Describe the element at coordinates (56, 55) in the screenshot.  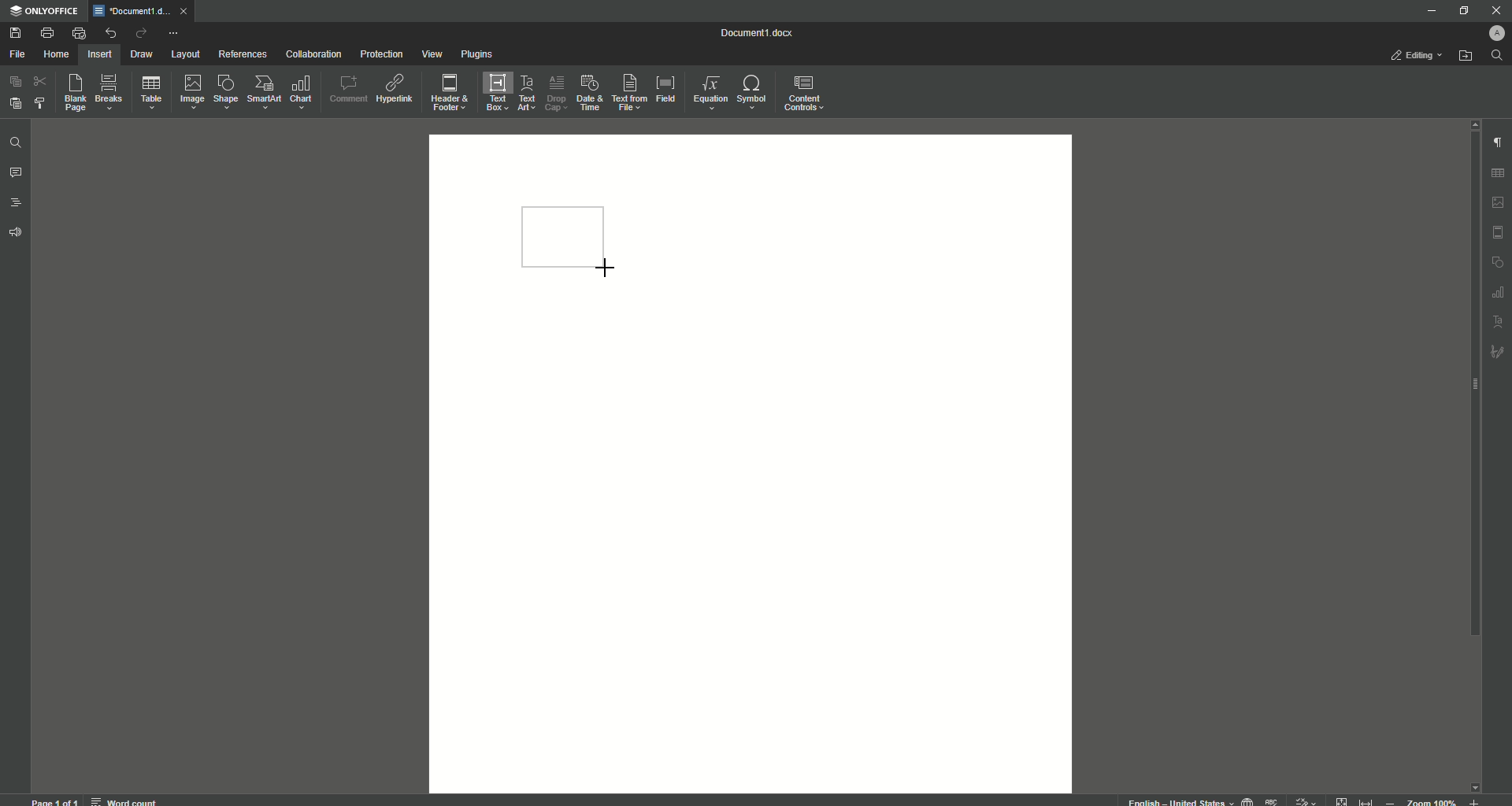
I see `Home` at that location.